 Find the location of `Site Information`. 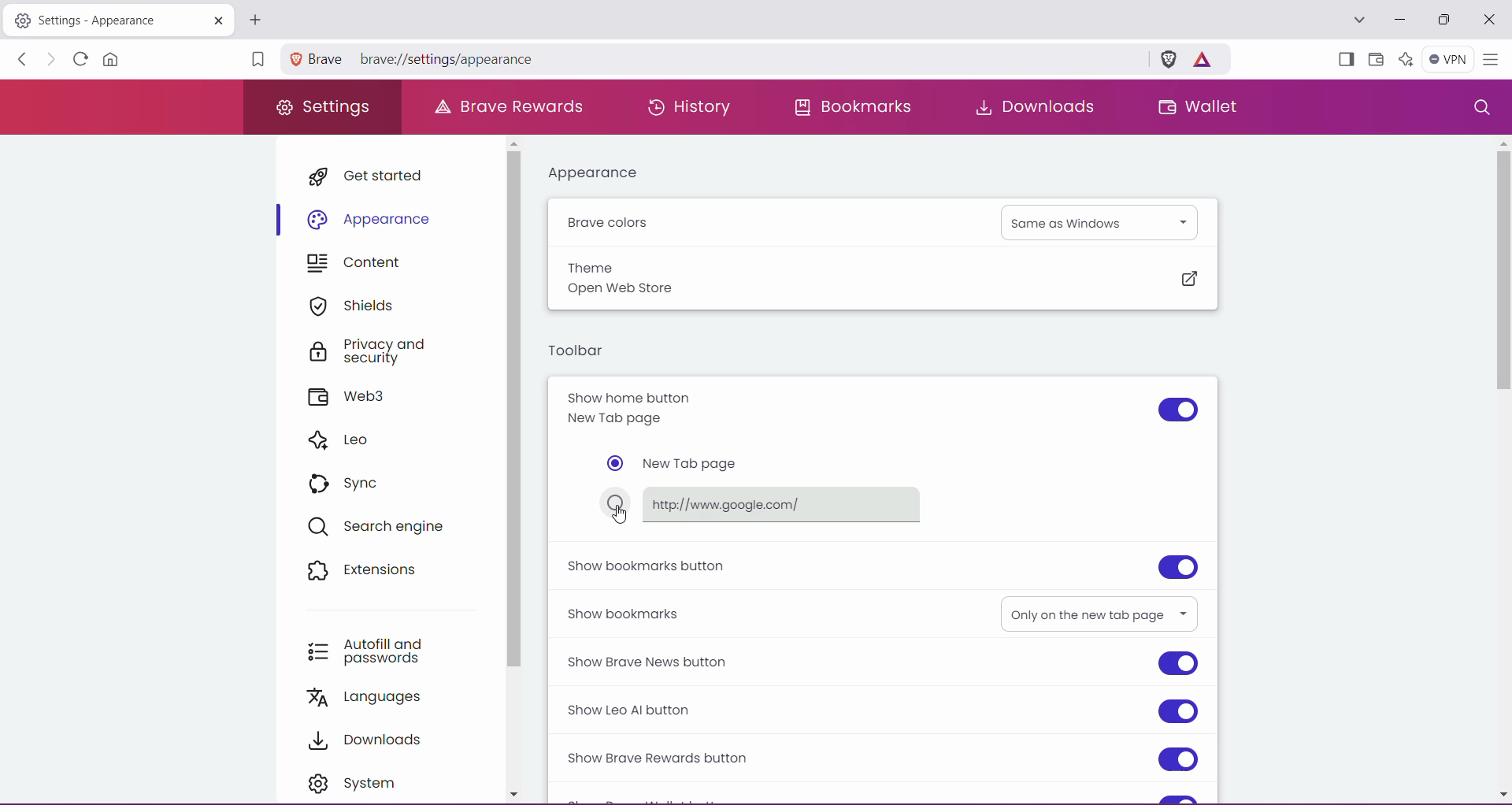

Site Information is located at coordinates (295, 58).